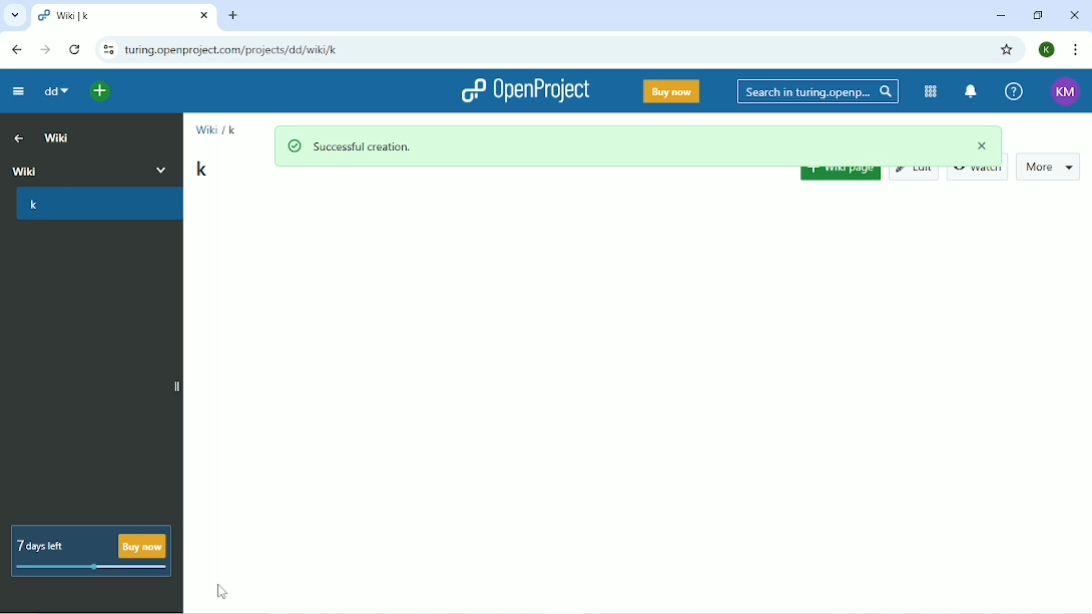 Image resolution: width=1092 pixels, height=614 pixels. Describe the element at coordinates (45, 50) in the screenshot. I see `Forward` at that location.